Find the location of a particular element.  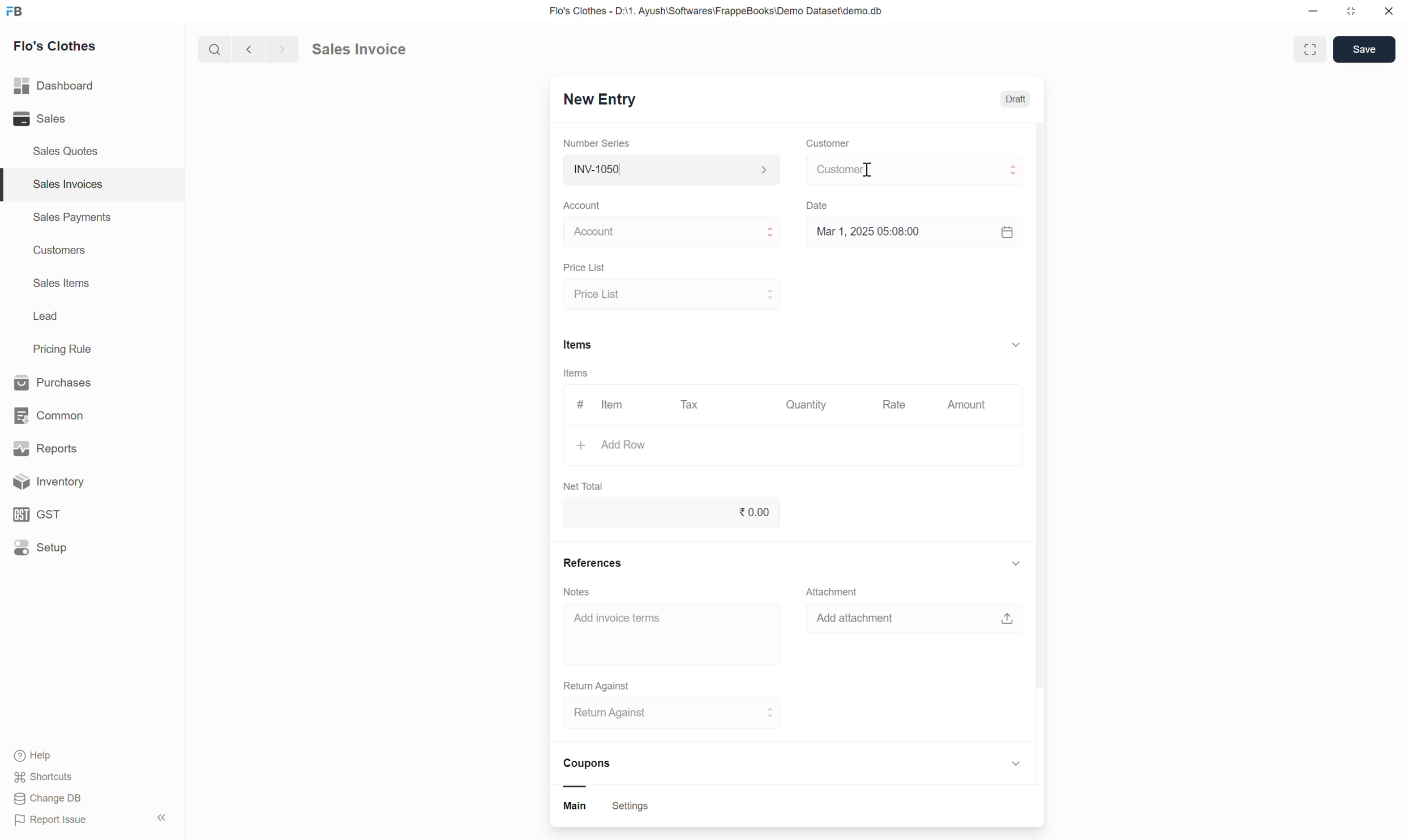

Coupons is located at coordinates (593, 772).